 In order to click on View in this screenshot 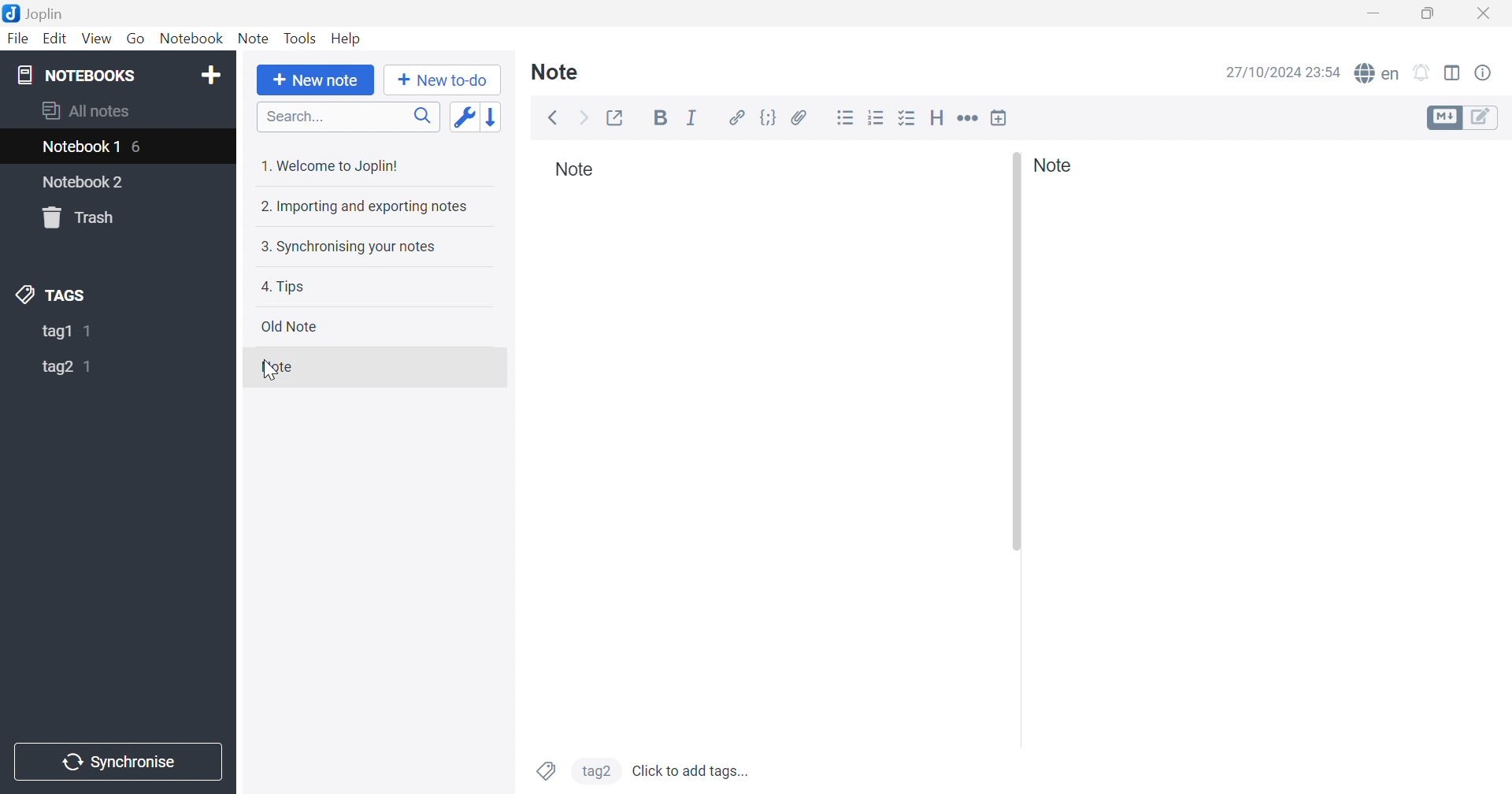, I will do `click(98, 39)`.